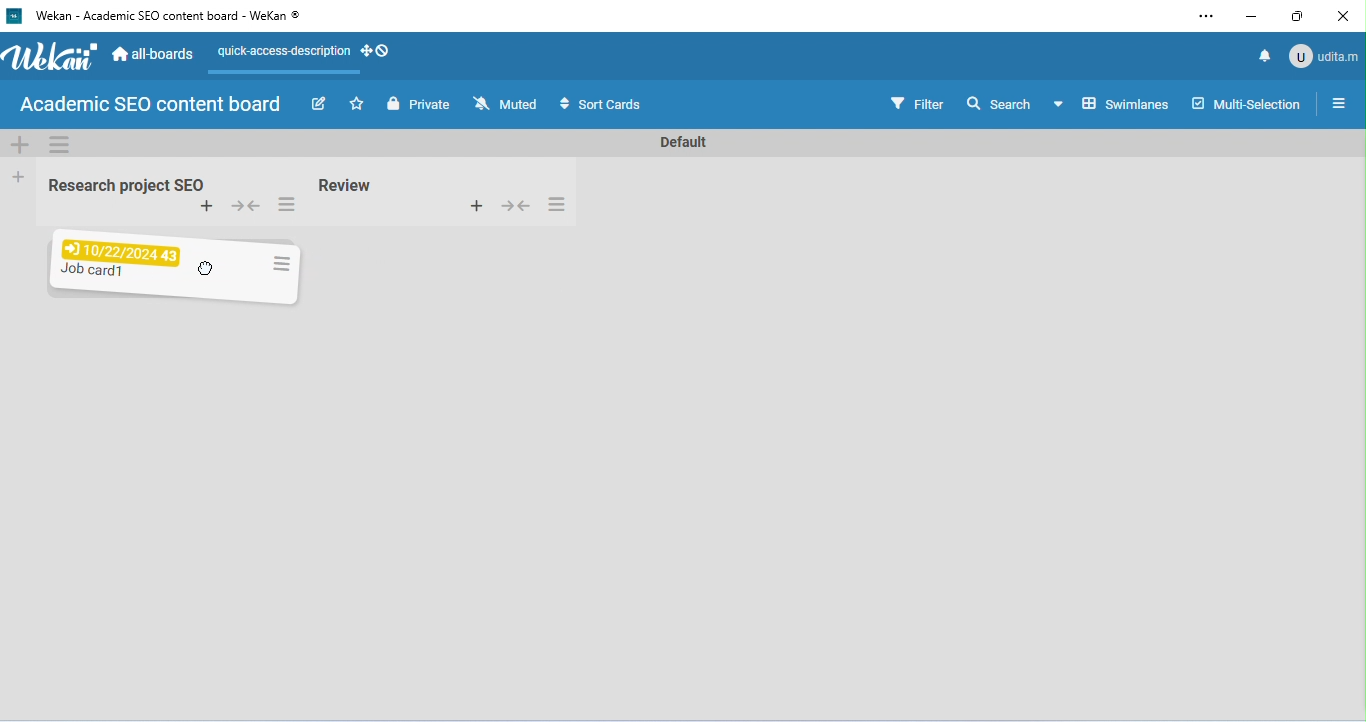 This screenshot has width=1366, height=722. What do you see at coordinates (377, 50) in the screenshot?
I see `show-desktop-drag-handles` at bounding box center [377, 50].